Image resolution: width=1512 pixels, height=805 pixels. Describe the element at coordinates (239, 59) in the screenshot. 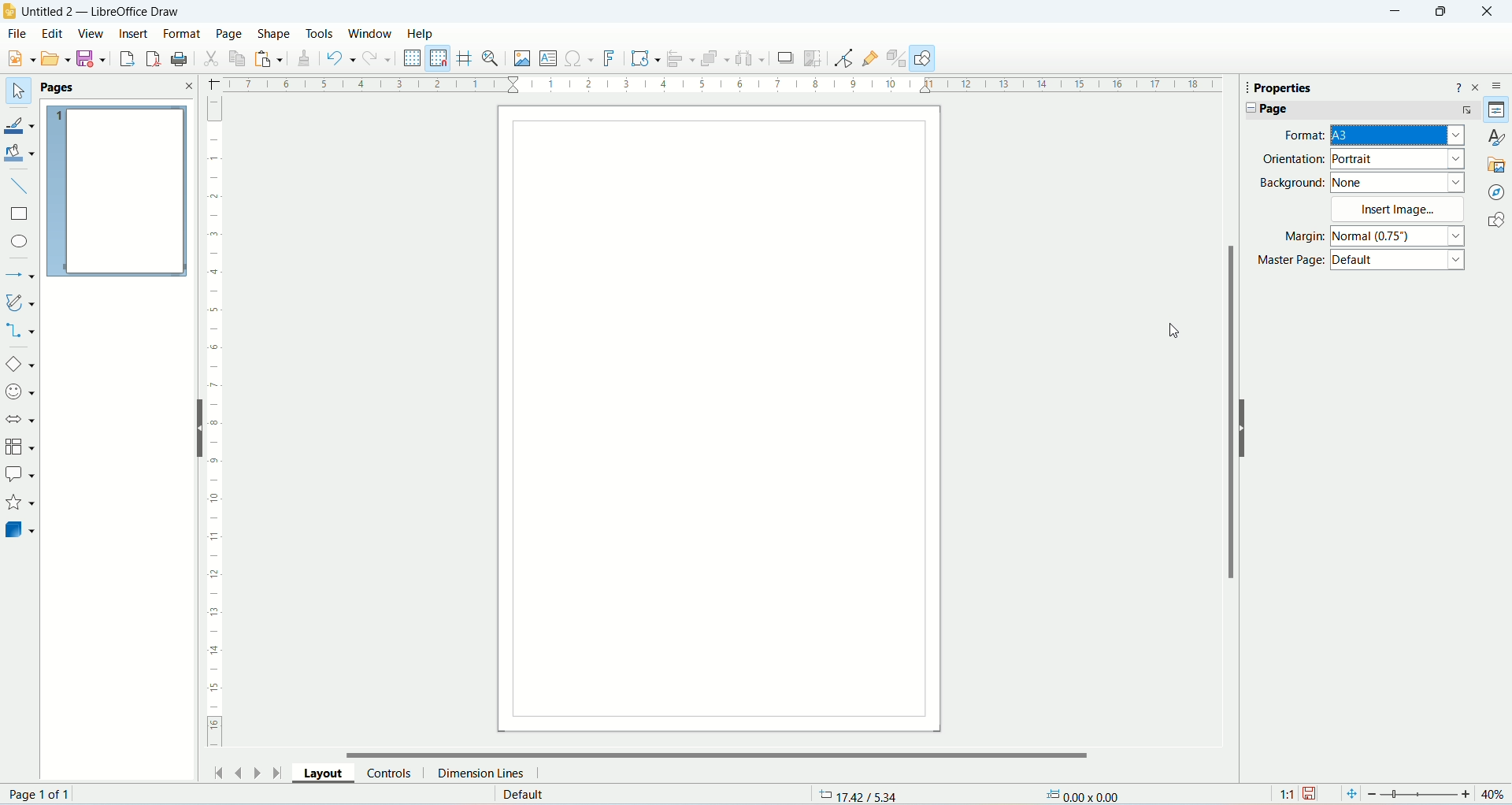

I see `copy` at that location.